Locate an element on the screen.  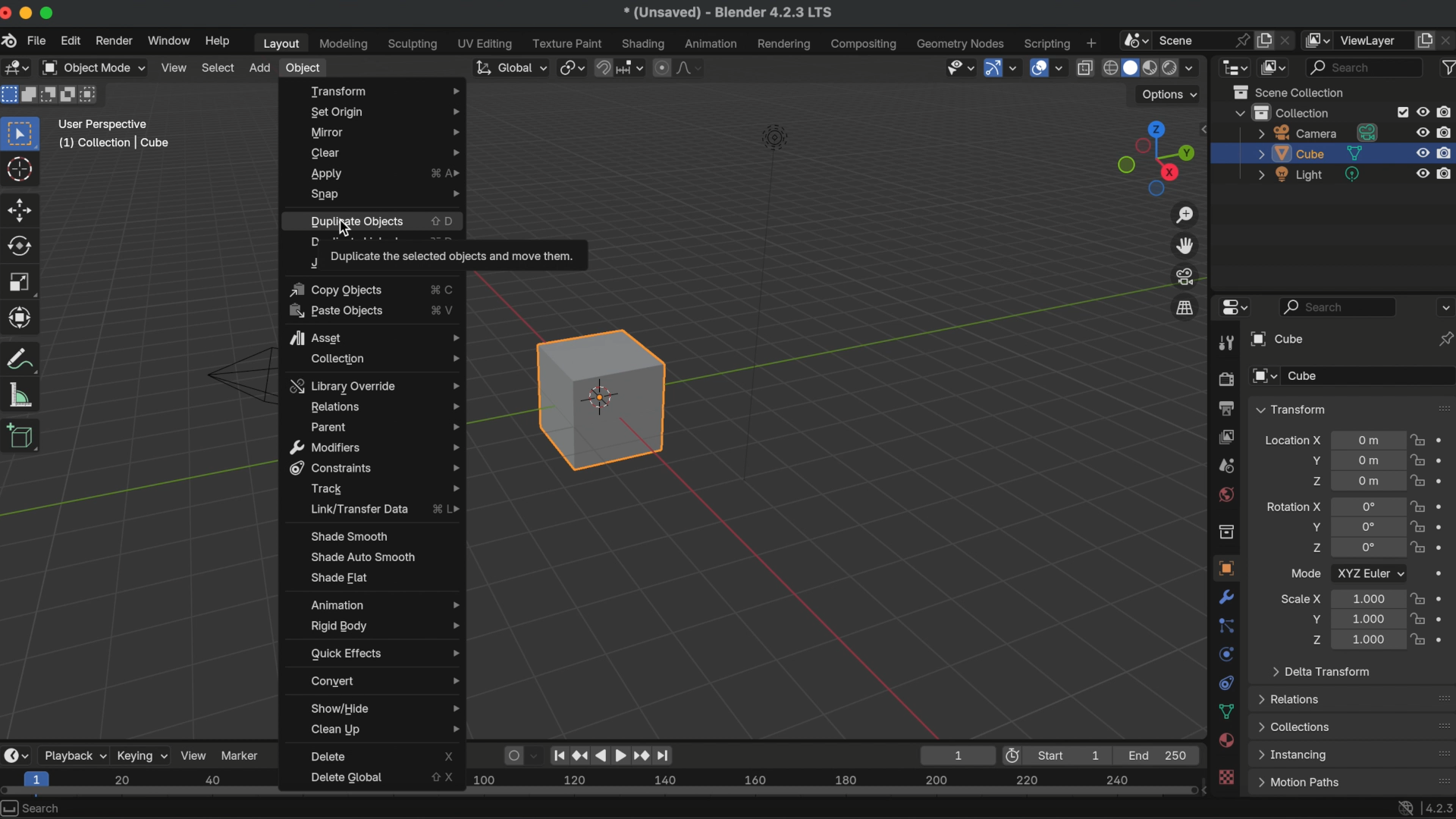
select is located at coordinates (218, 67).